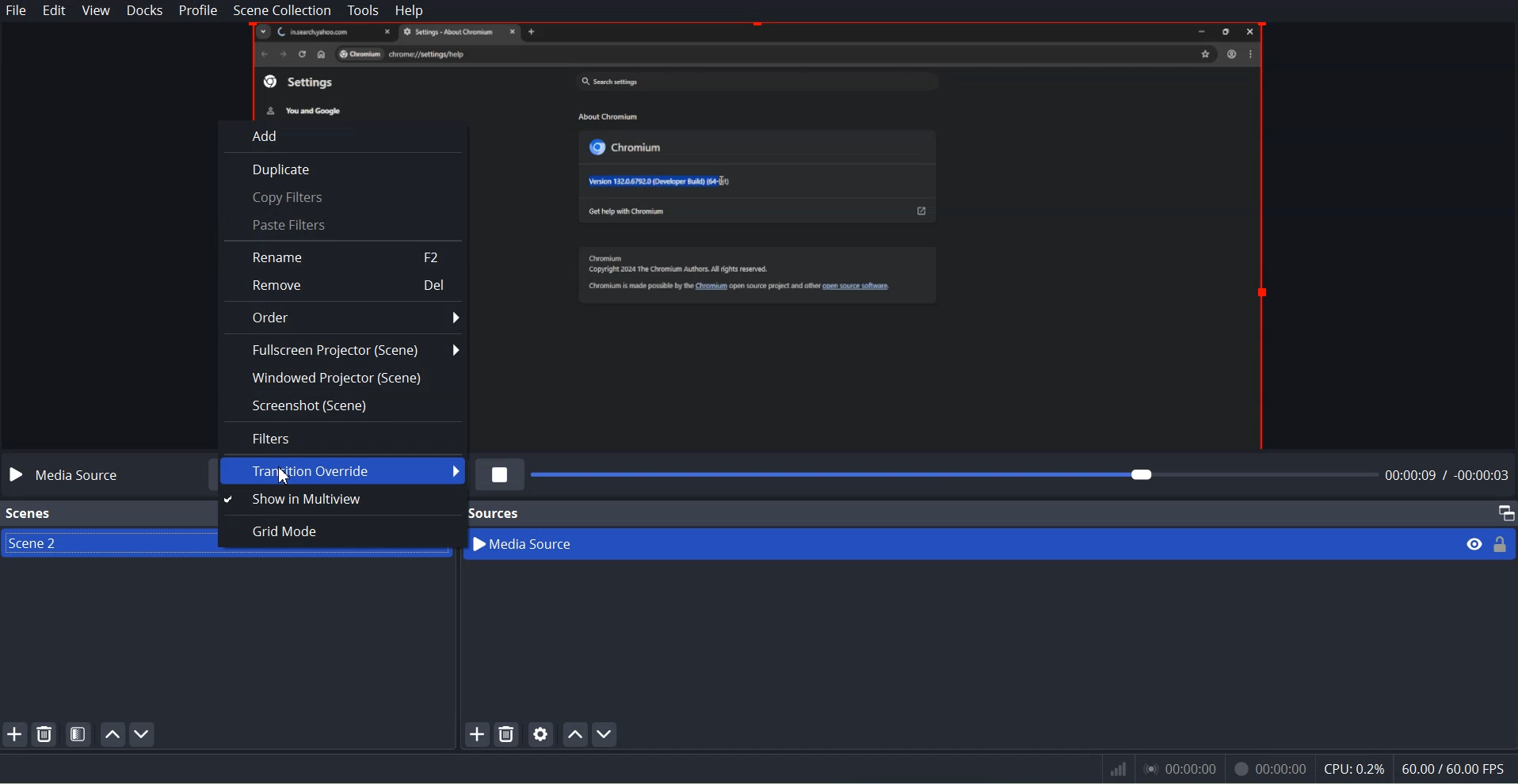 The image size is (1518, 784). What do you see at coordinates (281, 10) in the screenshot?
I see `Scene Collection` at bounding box center [281, 10].